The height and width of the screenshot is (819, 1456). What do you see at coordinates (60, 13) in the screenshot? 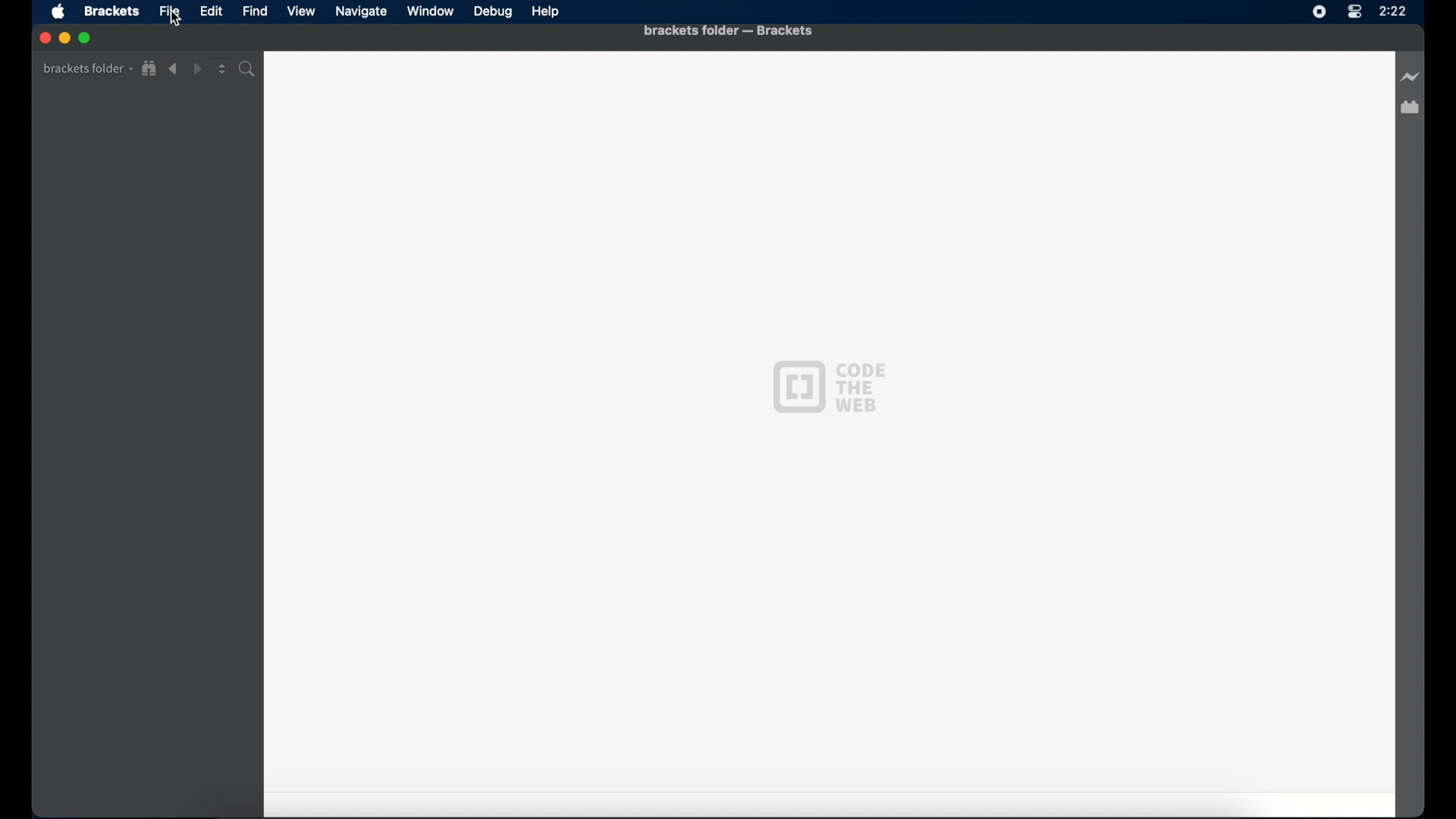
I see `apple icon` at bounding box center [60, 13].